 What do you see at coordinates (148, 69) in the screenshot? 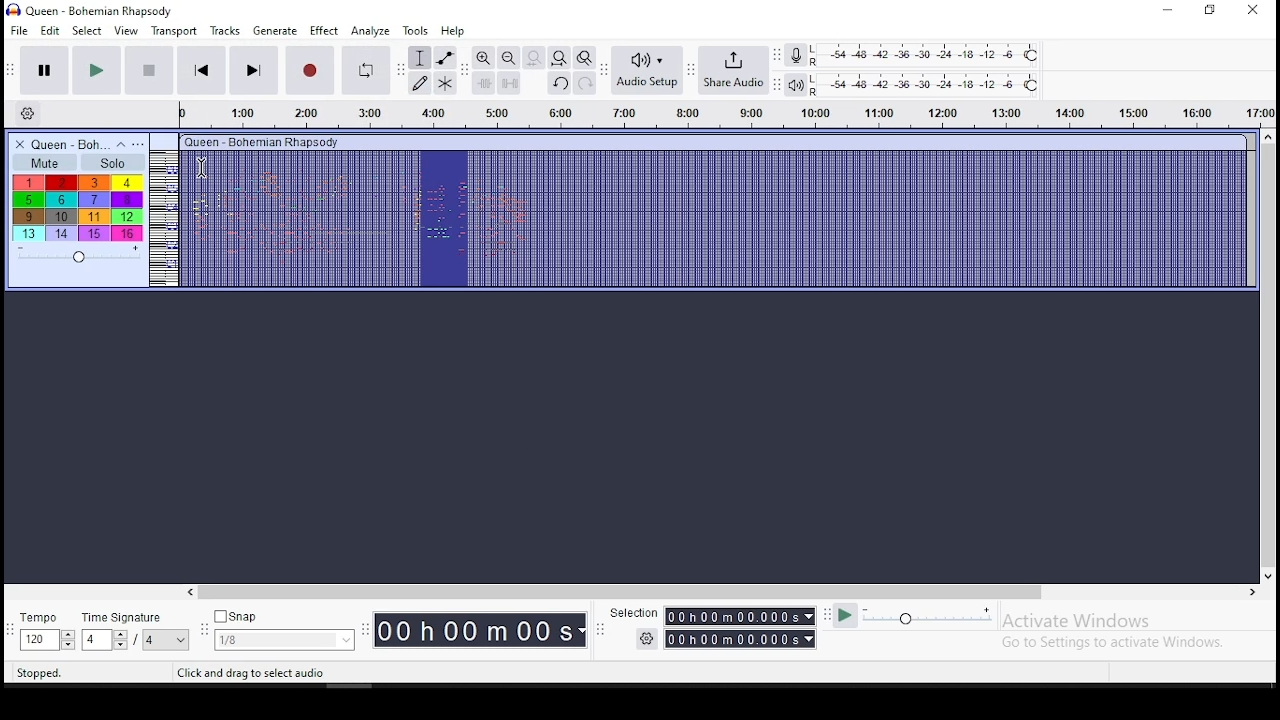
I see `stop` at bounding box center [148, 69].